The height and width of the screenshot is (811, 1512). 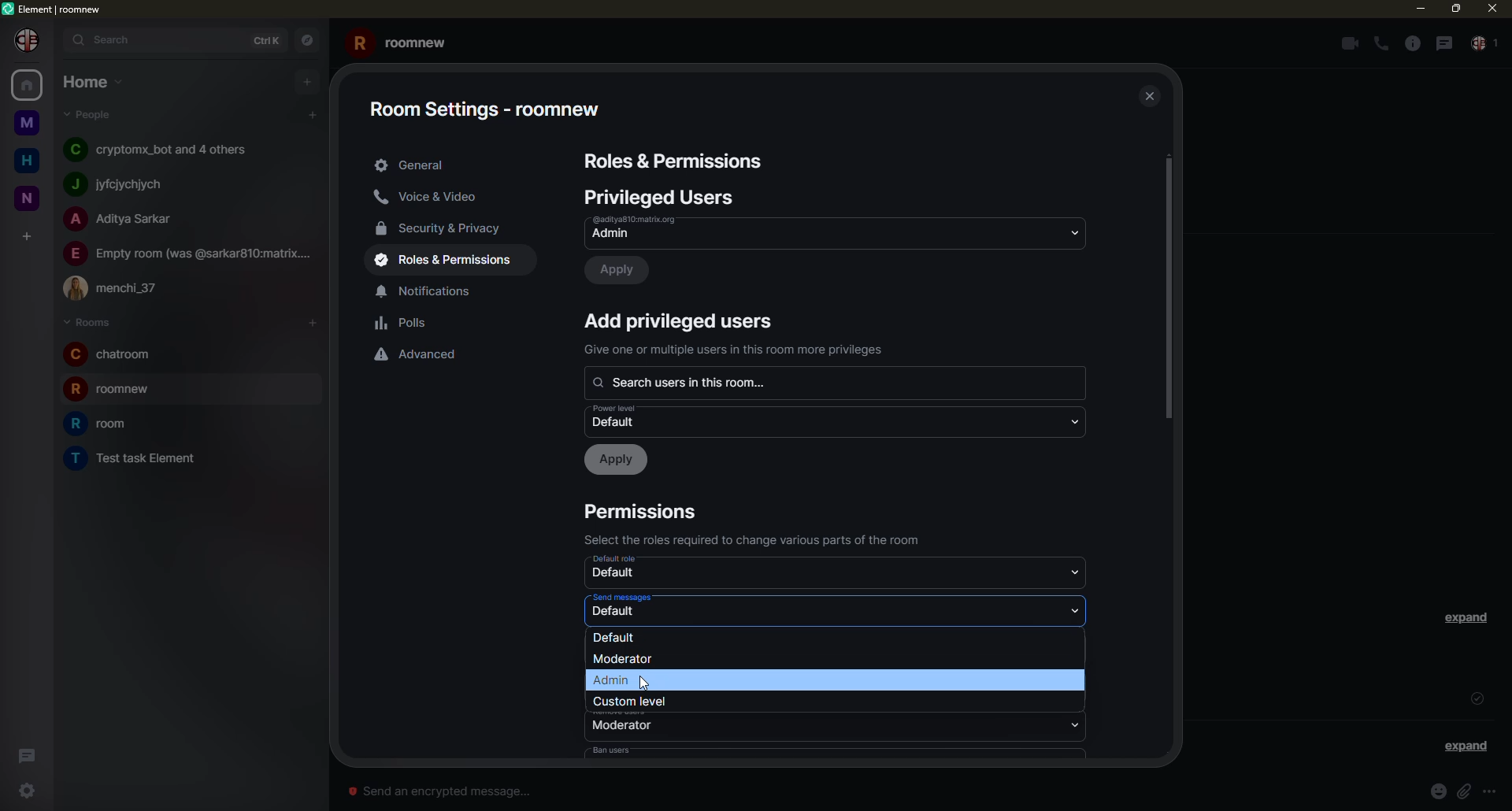 I want to click on search, so click(x=691, y=382).